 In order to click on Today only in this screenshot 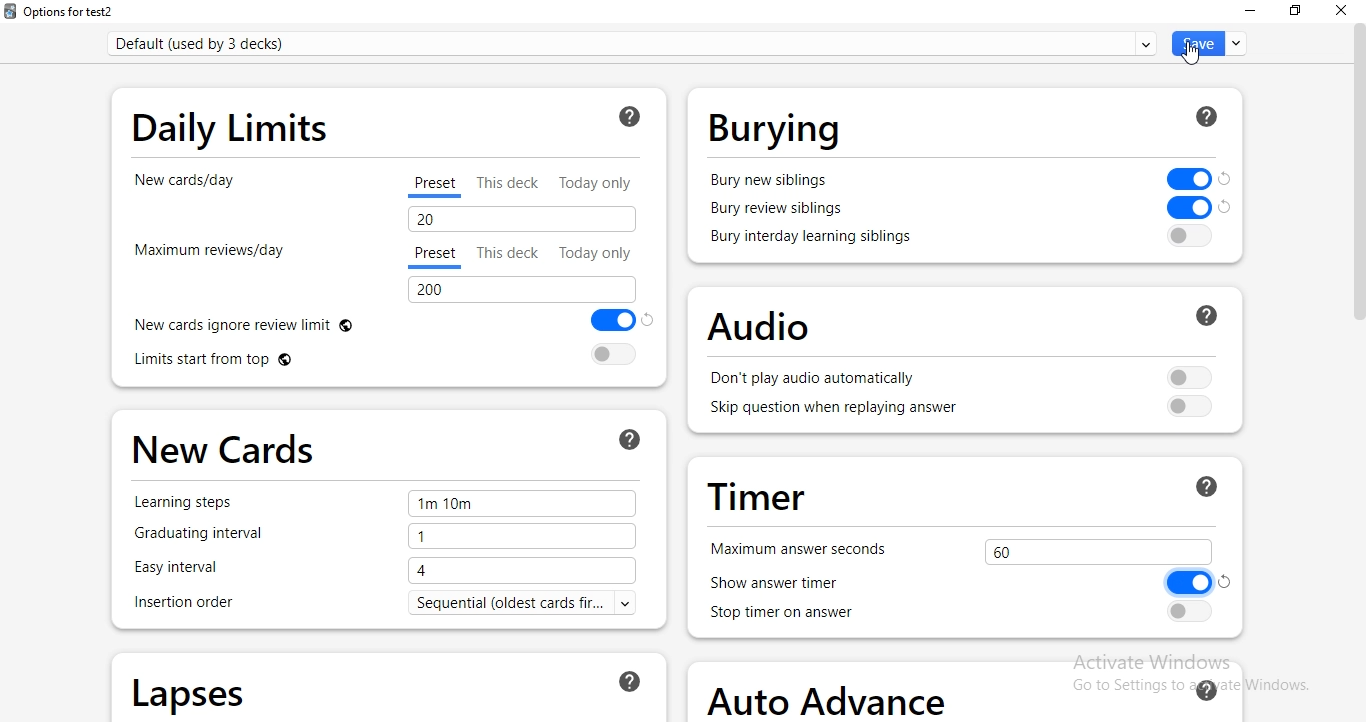, I will do `click(599, 252)`.